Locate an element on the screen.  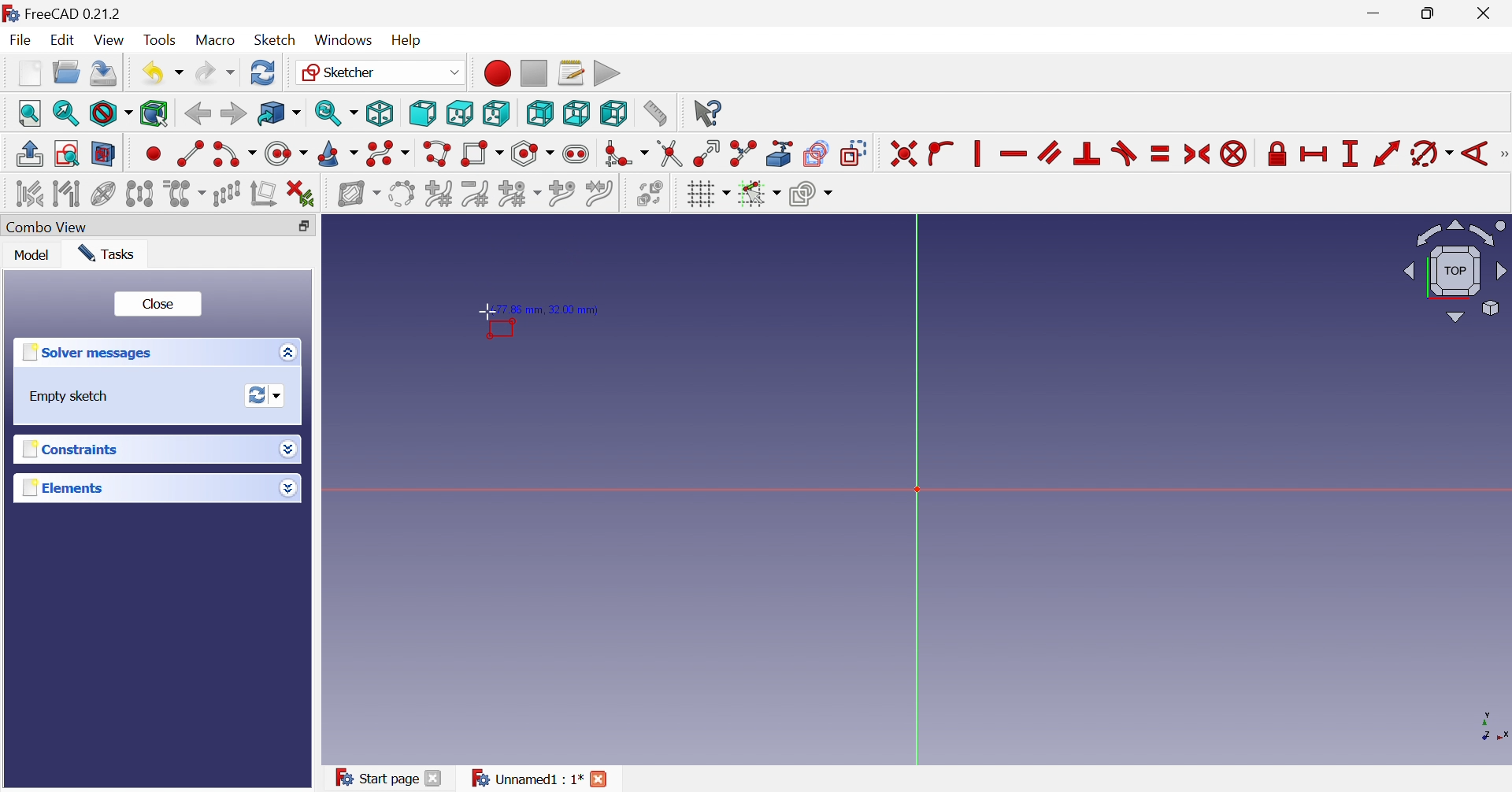
[Sketcher tools] is located at coordinates (1503, 156).